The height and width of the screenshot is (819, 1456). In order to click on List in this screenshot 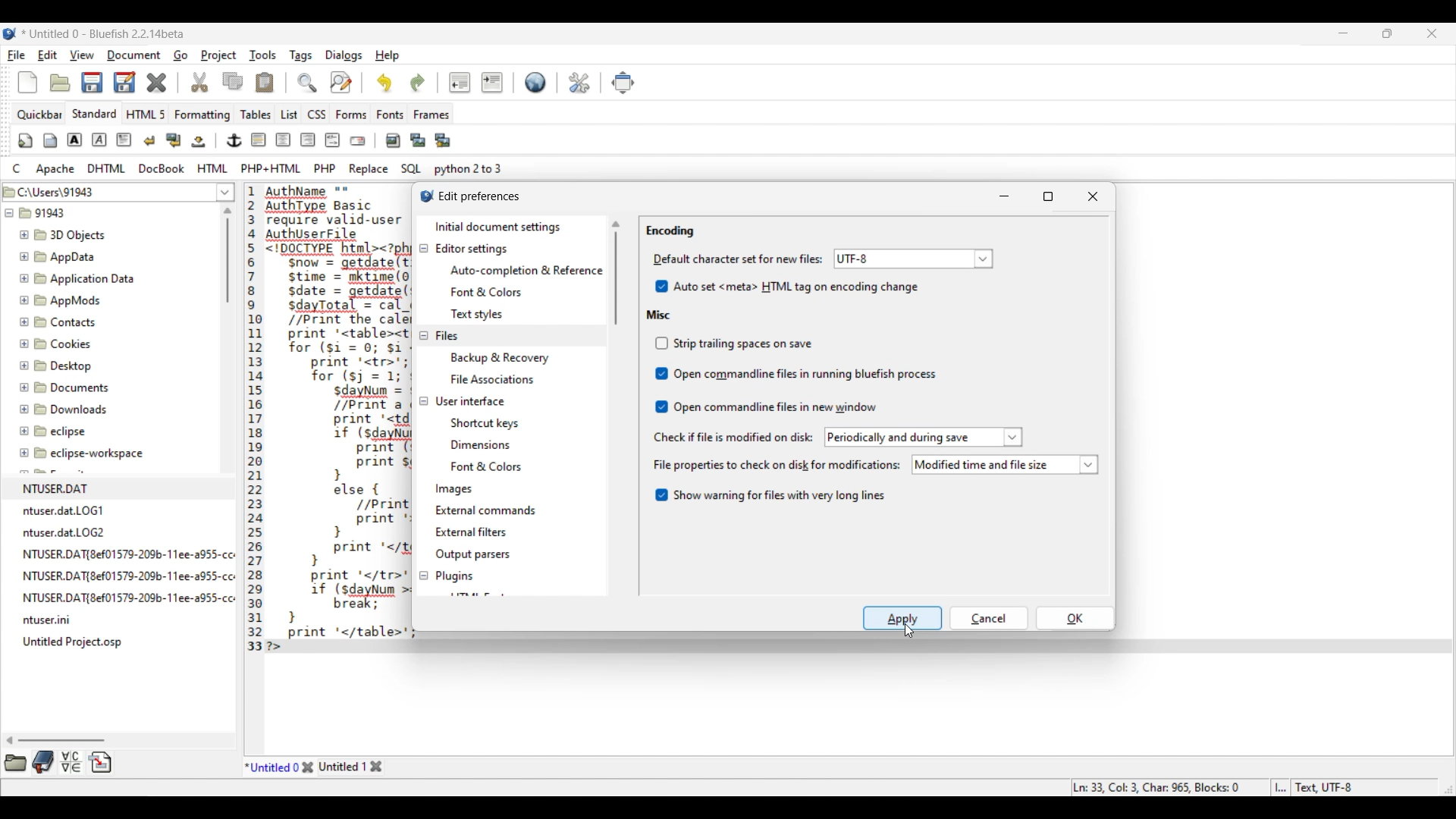, I will do `click(290, 115)`.